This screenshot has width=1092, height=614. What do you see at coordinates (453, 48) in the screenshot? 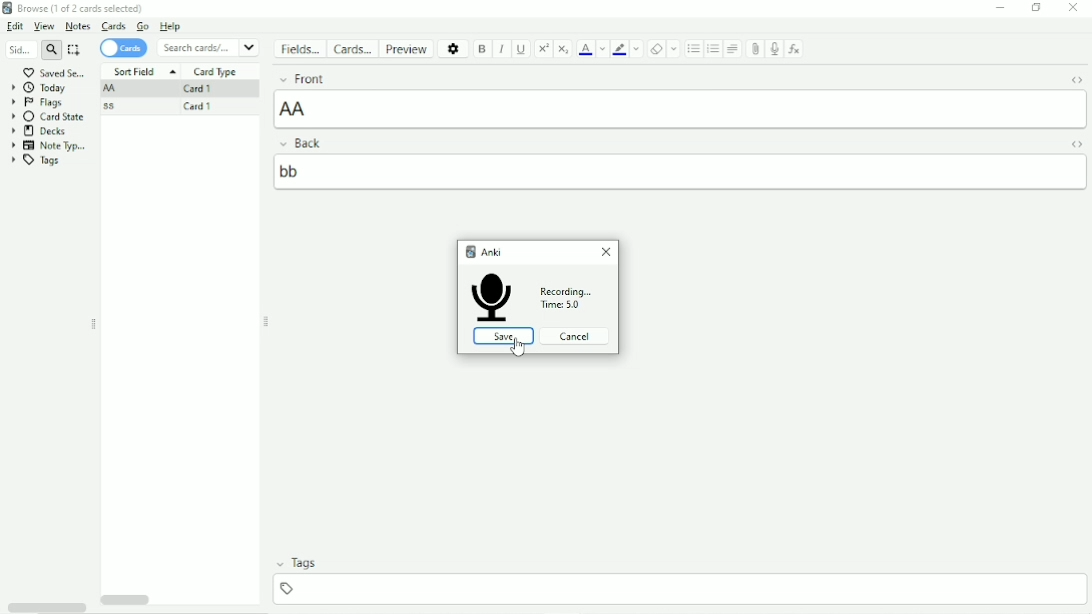
I see `Options` at bounding box center [453, 48].